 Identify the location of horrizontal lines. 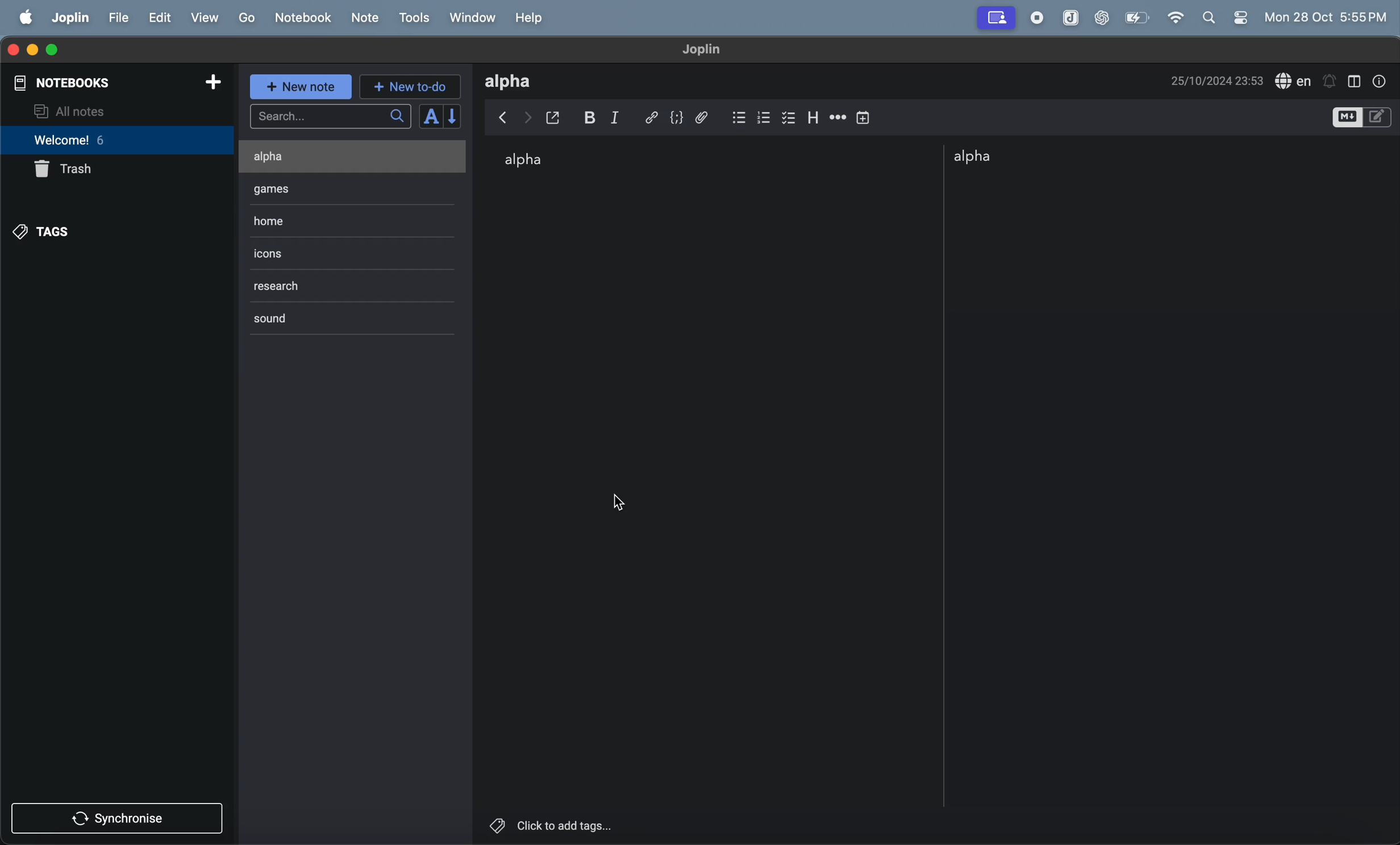
(838, 117).